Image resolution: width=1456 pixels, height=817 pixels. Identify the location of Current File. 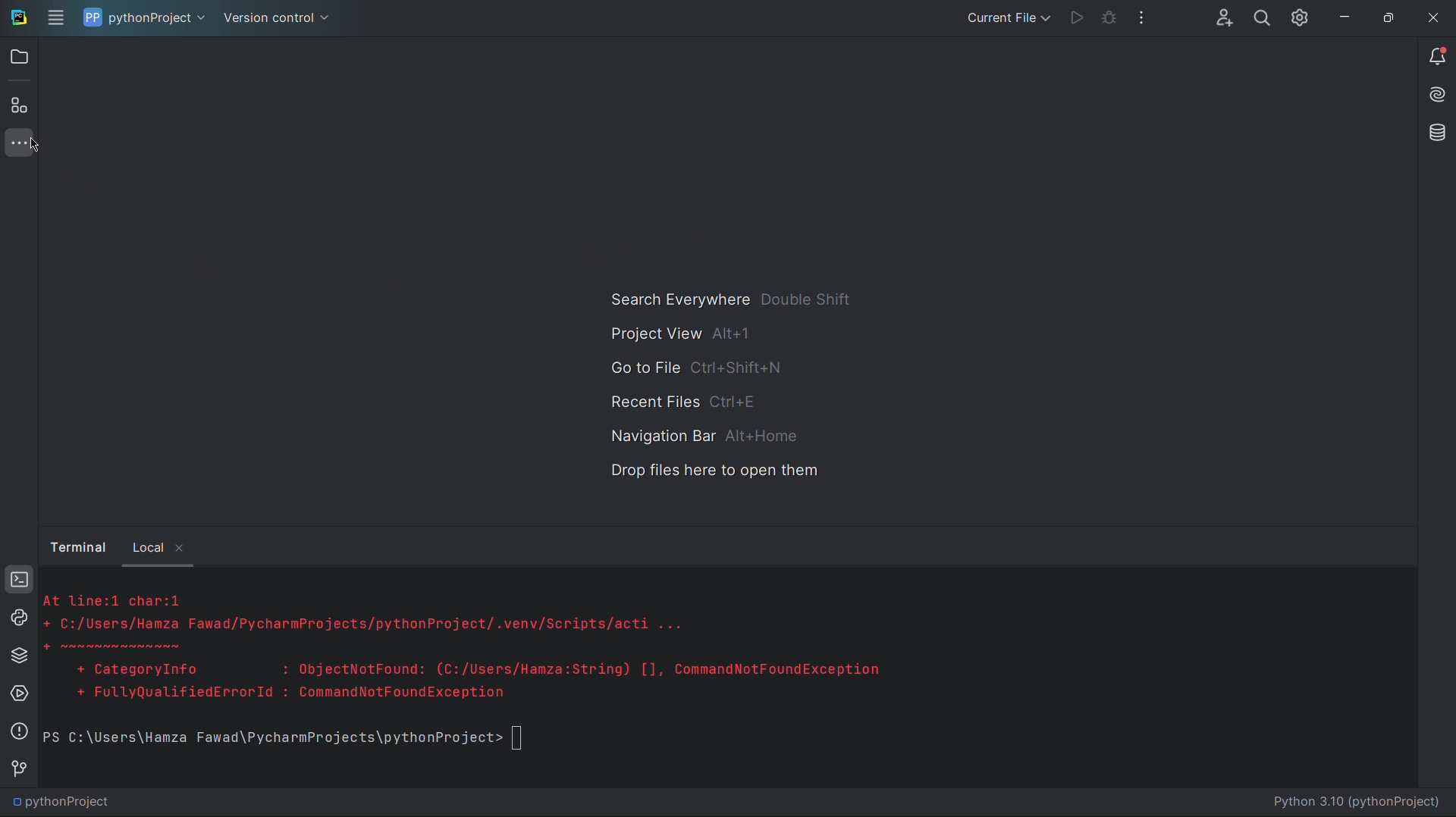
(1004, 17).